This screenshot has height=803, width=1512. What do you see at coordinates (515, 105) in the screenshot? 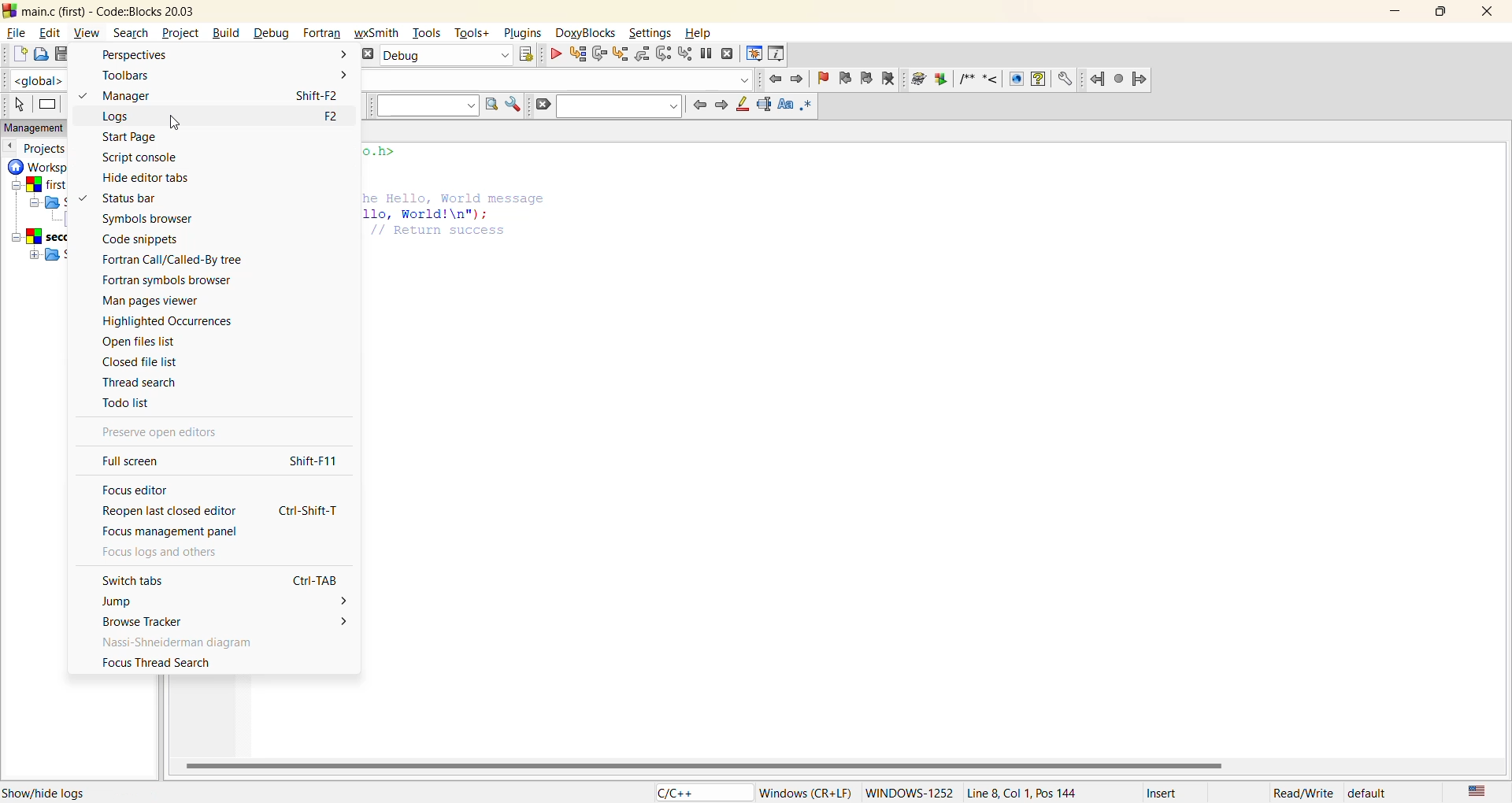
I see `show options window` at bounding box center [515, 105].